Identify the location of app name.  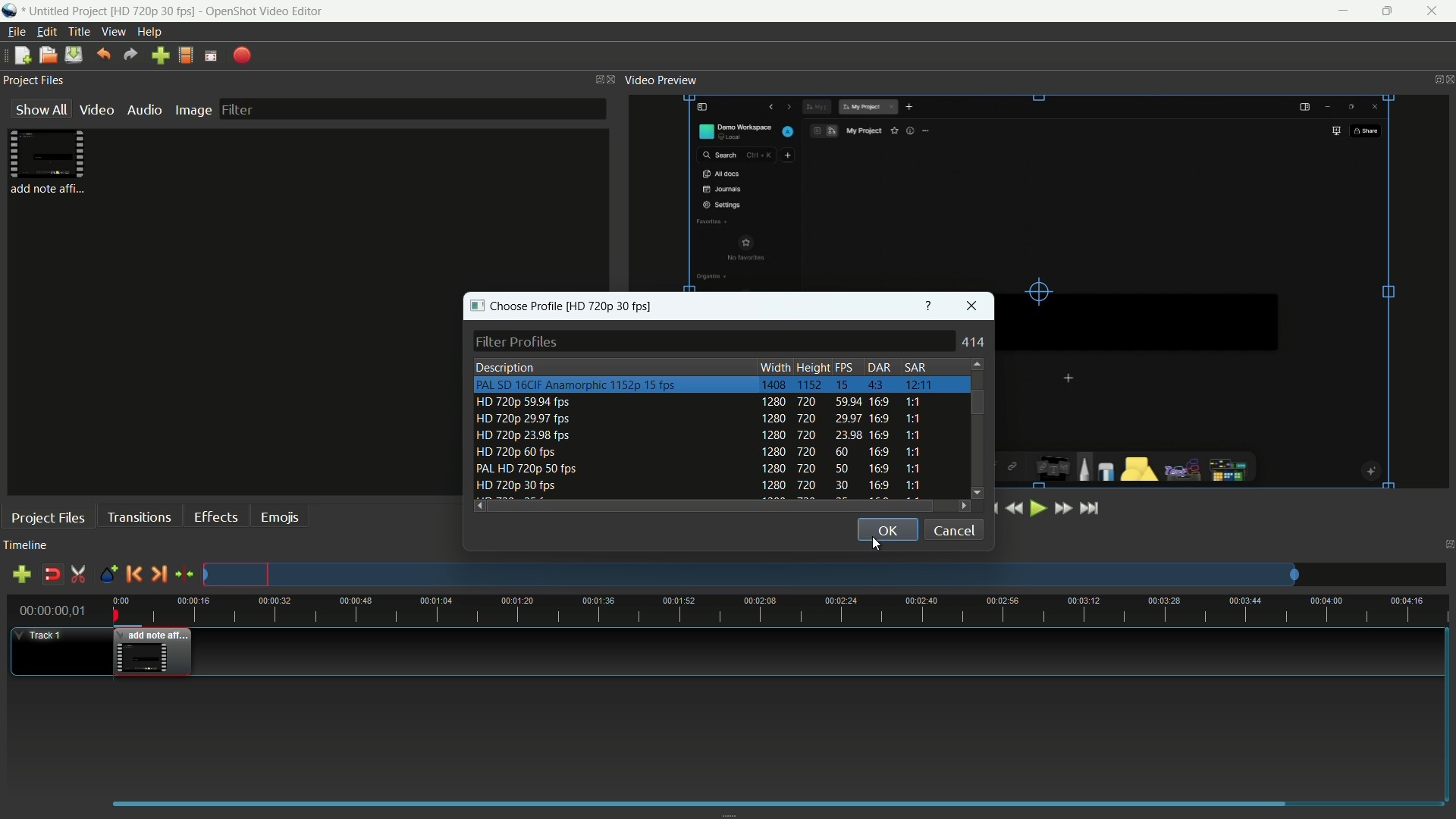
(264, 11).